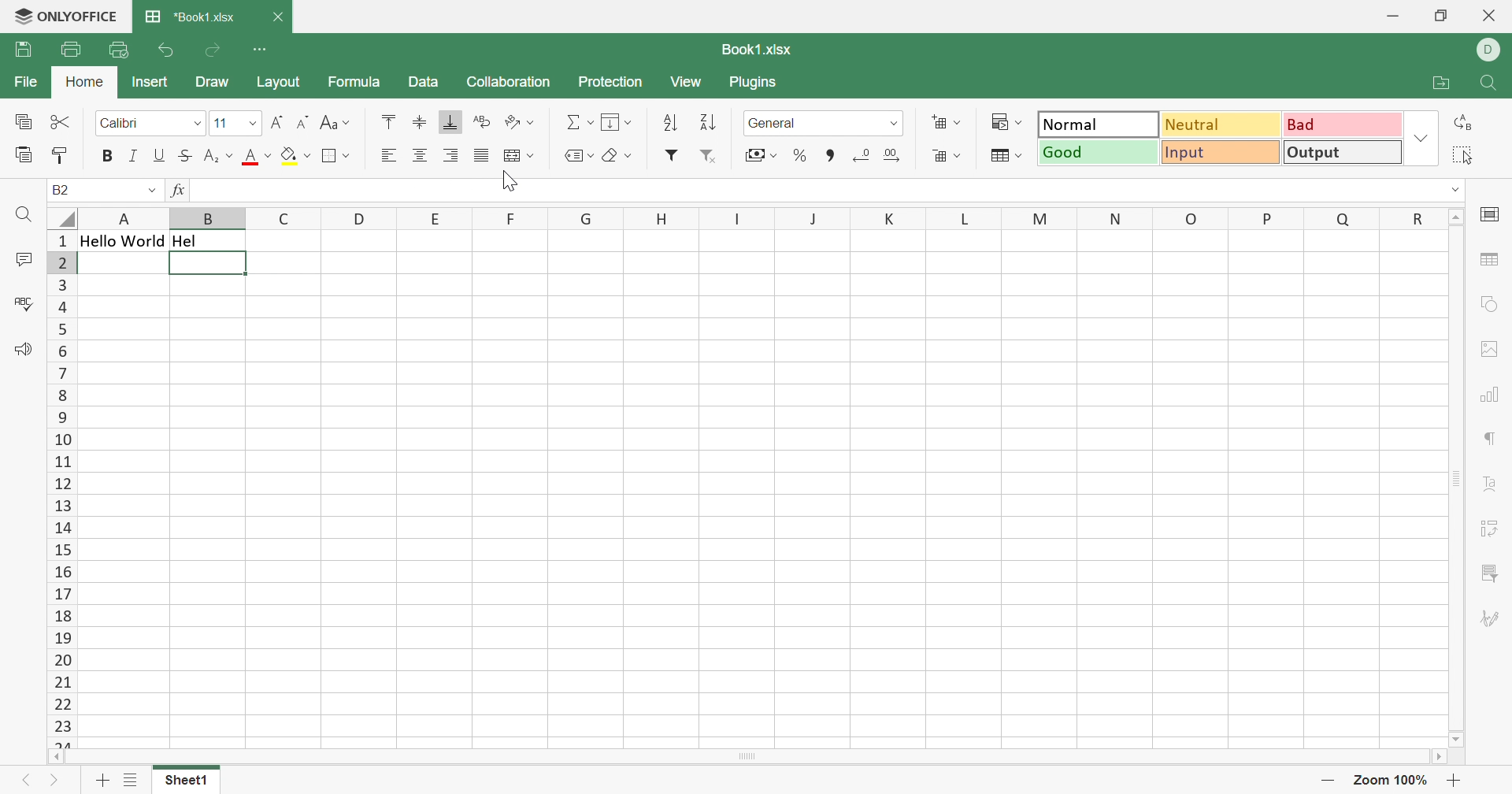 The height and width of the screenshot is (794, 1512). I want to click on Copy, so click(24, 123).